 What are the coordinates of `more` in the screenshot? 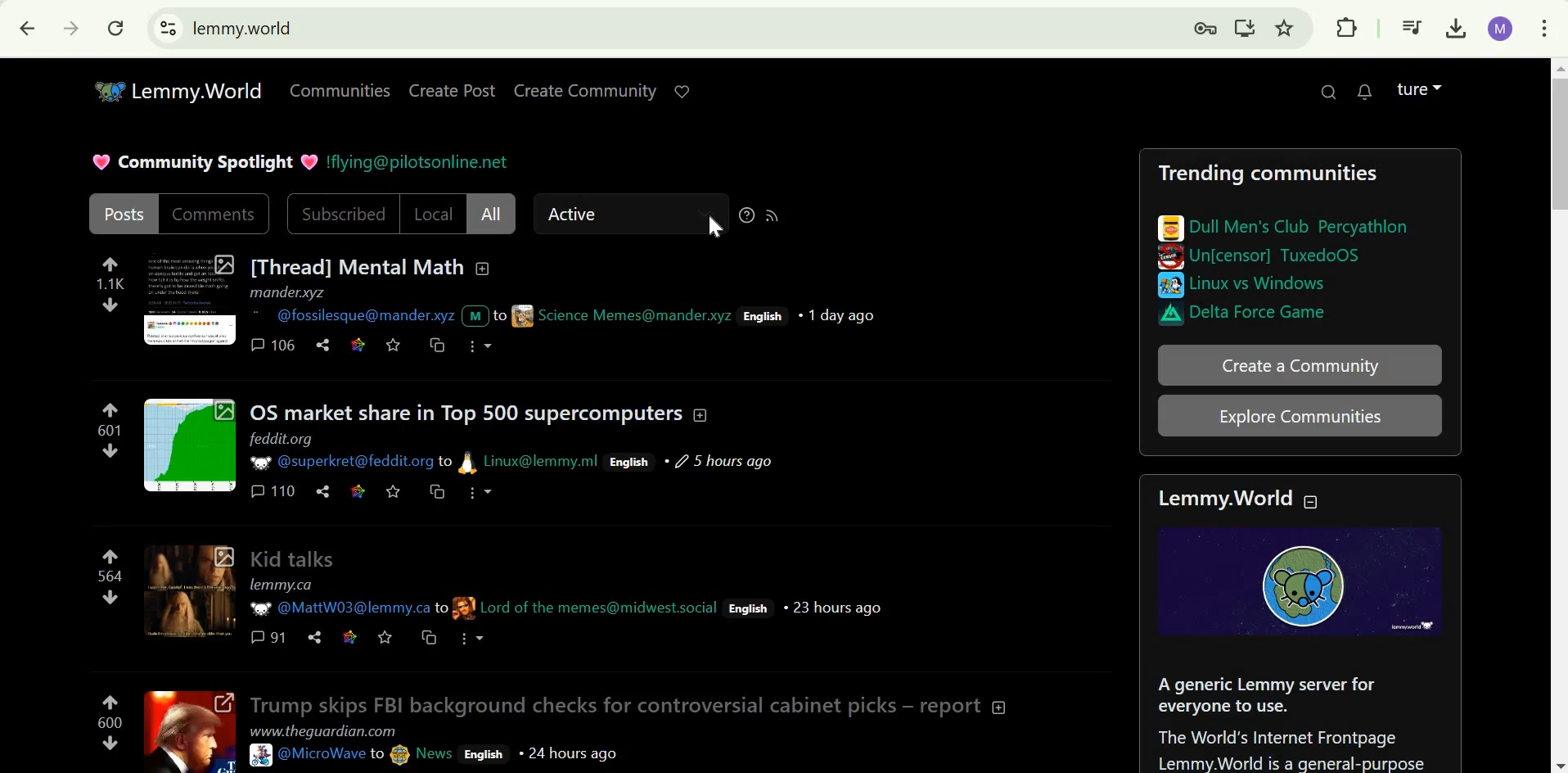 It's located at (476, 493).